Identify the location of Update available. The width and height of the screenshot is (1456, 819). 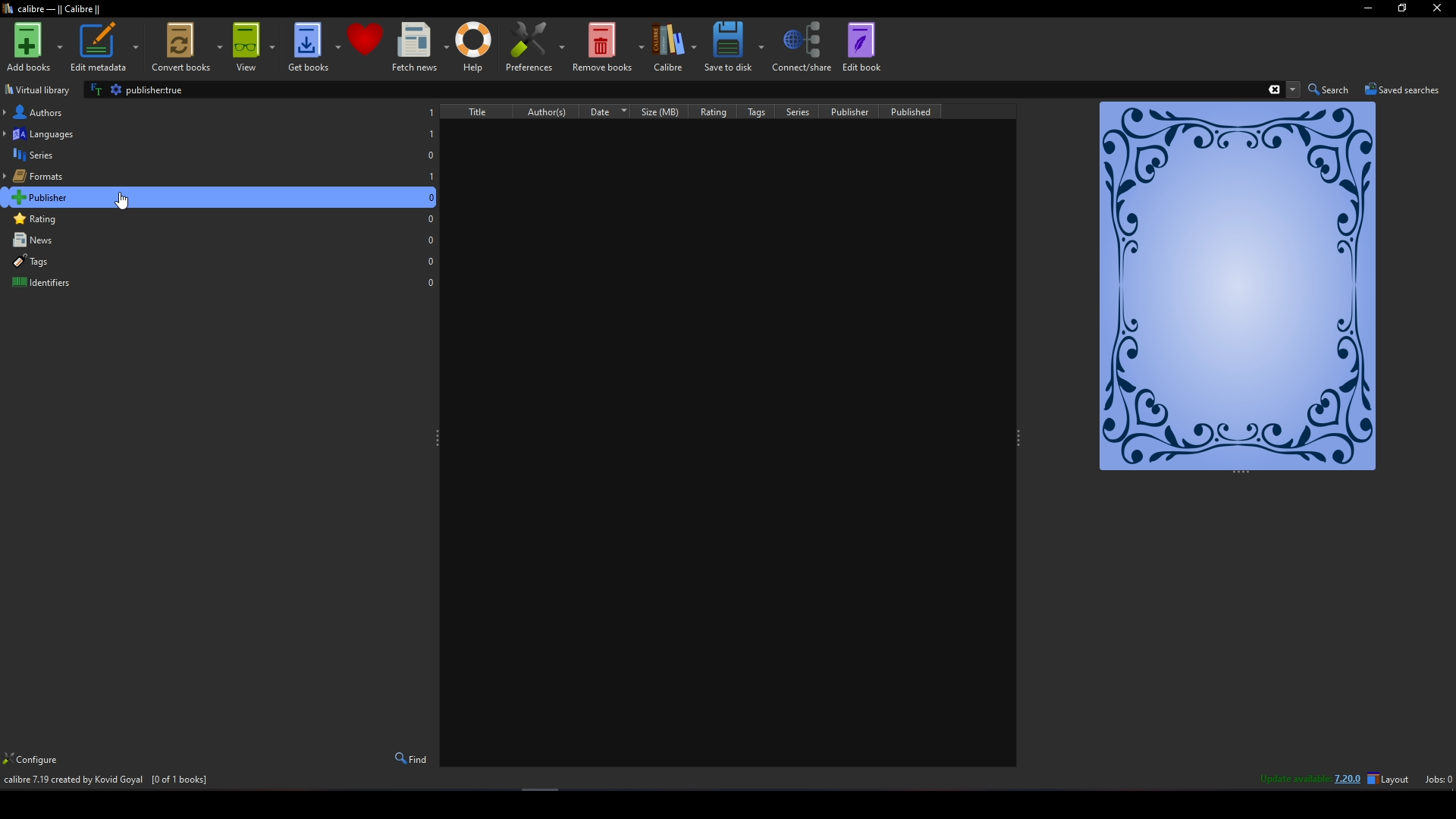
(1285, 782).